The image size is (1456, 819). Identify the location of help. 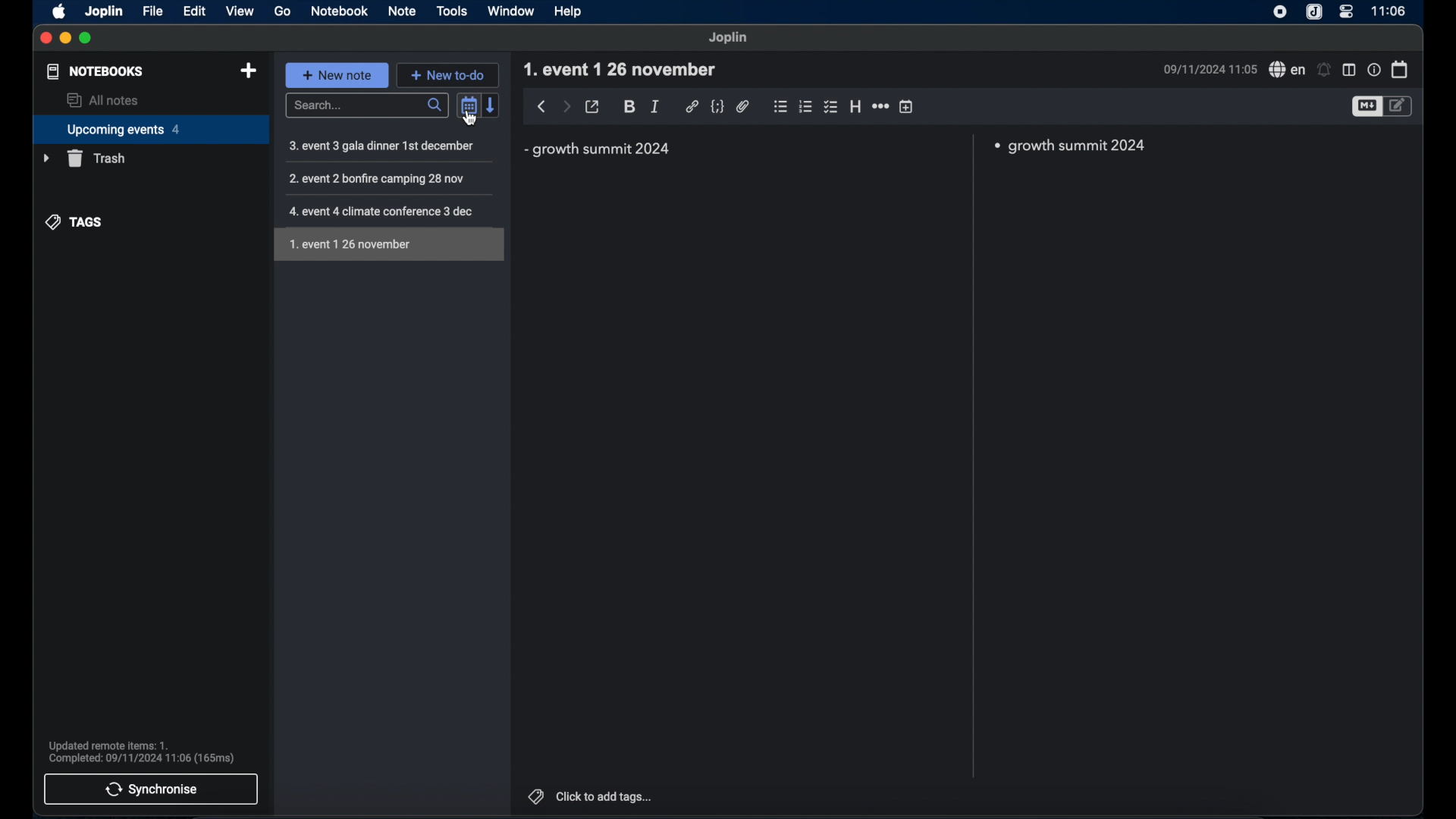
(570, 13).